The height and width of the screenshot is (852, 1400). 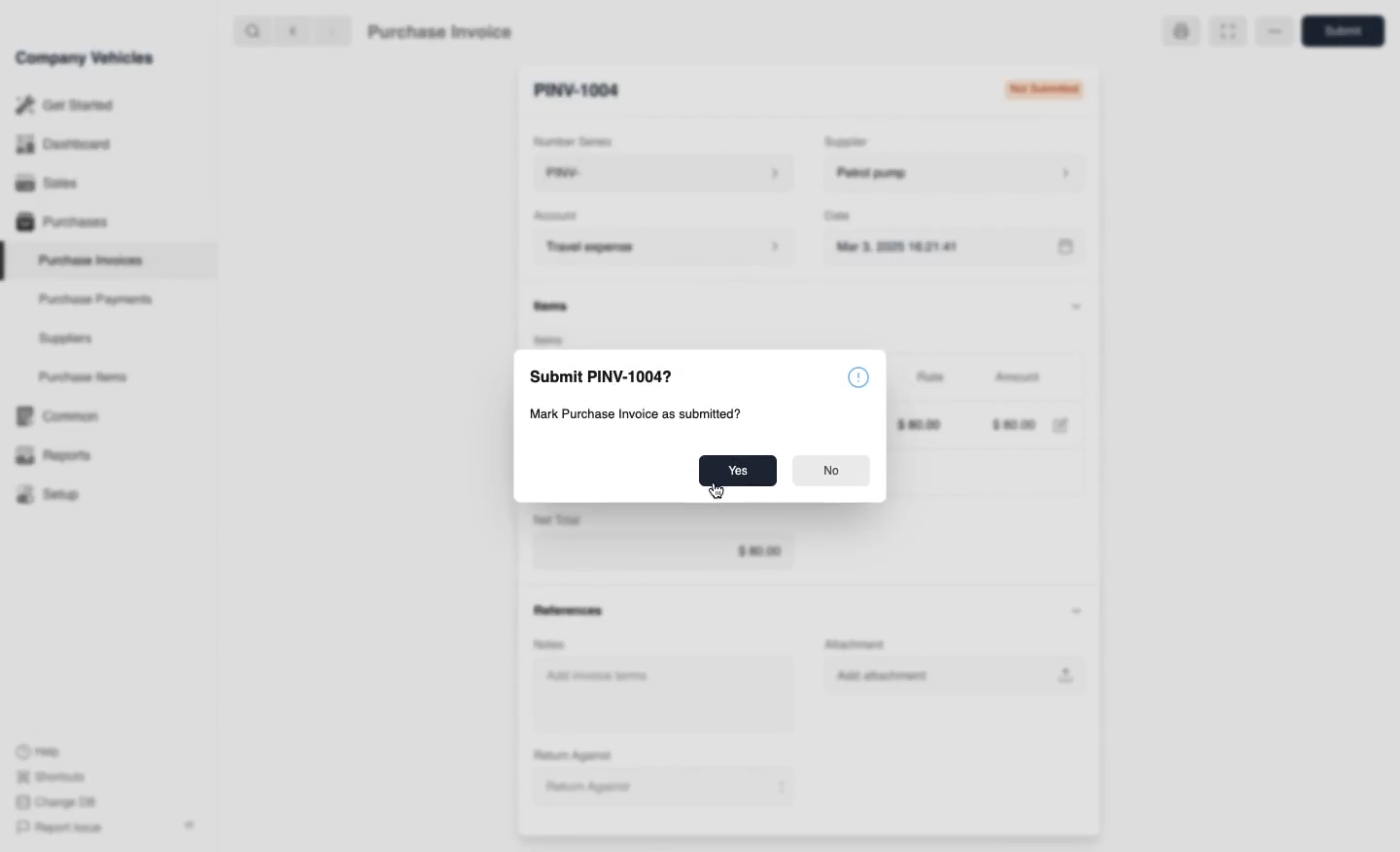 I want to click on Mark Purchase Invoice as submitted?, so click(x=683, y=416).